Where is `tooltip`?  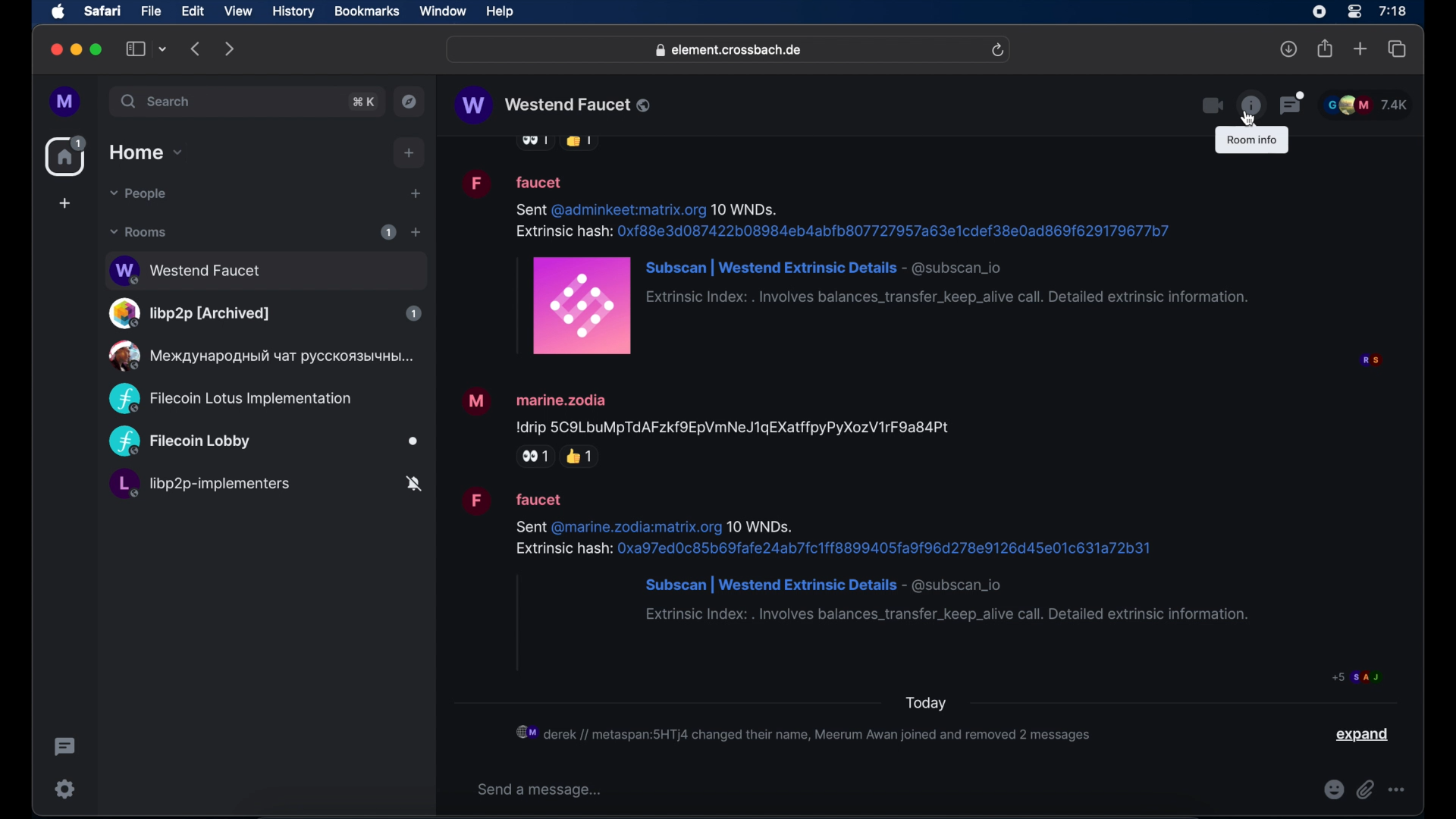 tooltip is located at coordinates (1251, 140).